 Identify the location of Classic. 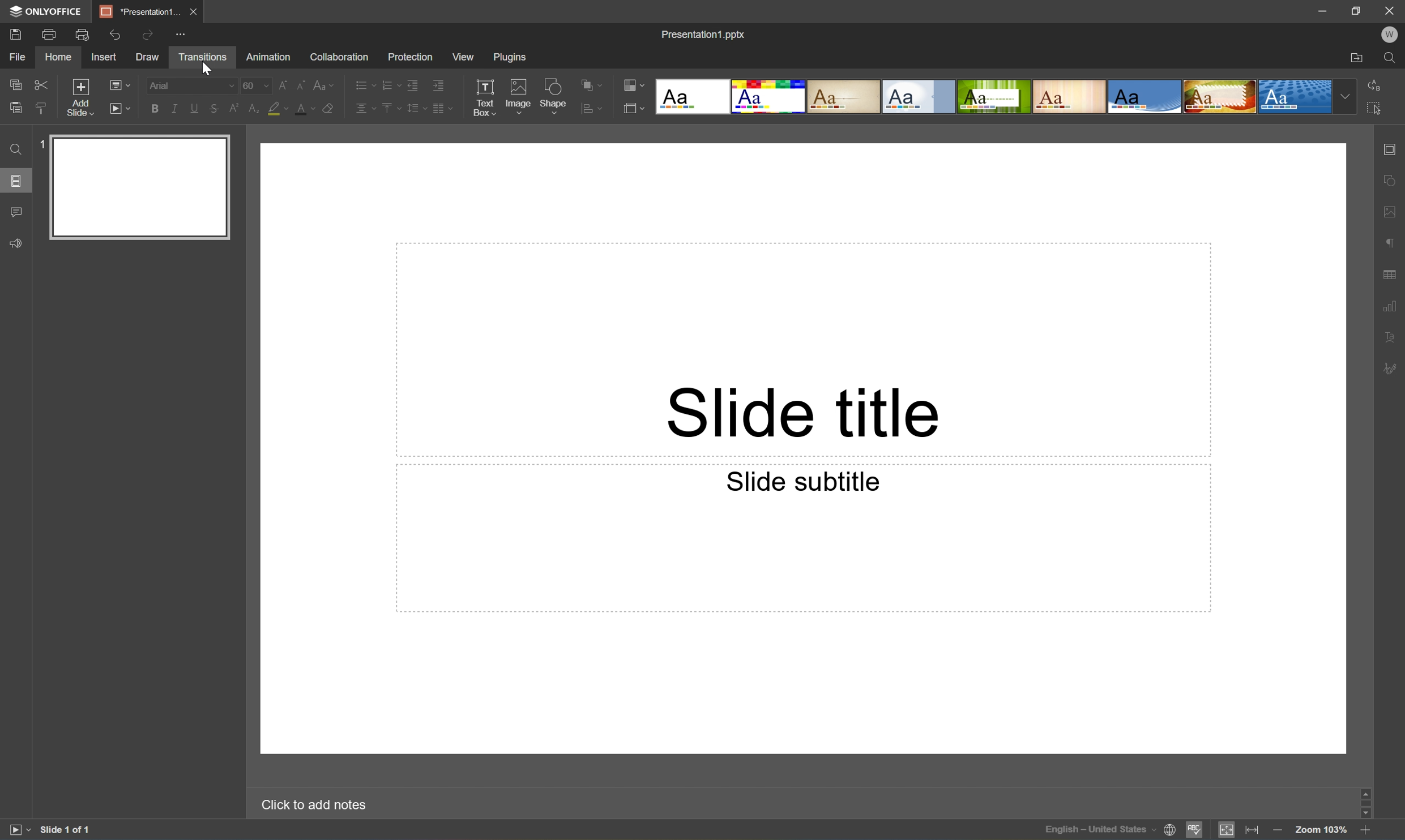
(844, 96).